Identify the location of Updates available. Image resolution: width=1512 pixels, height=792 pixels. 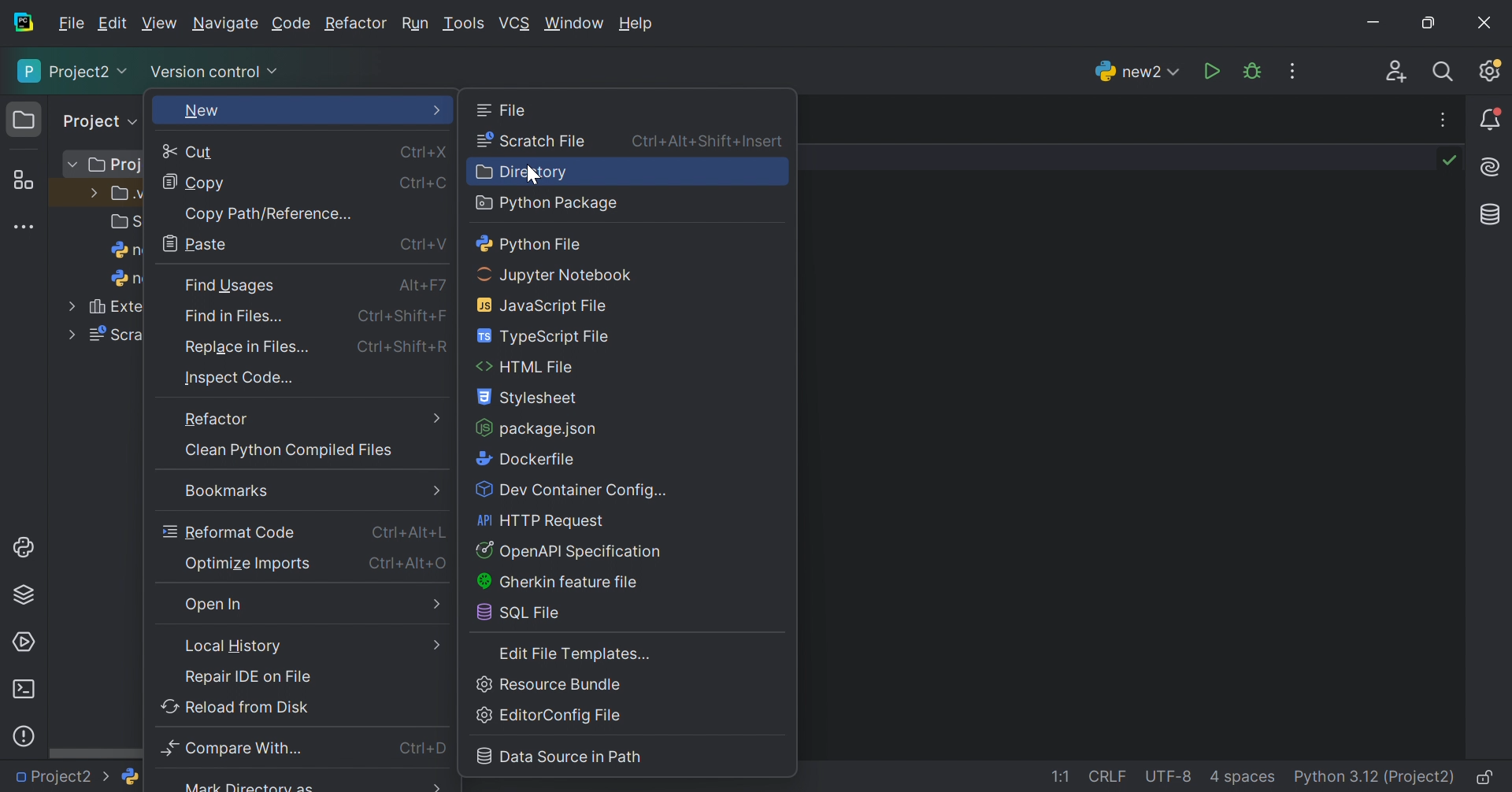
(1488, 72).